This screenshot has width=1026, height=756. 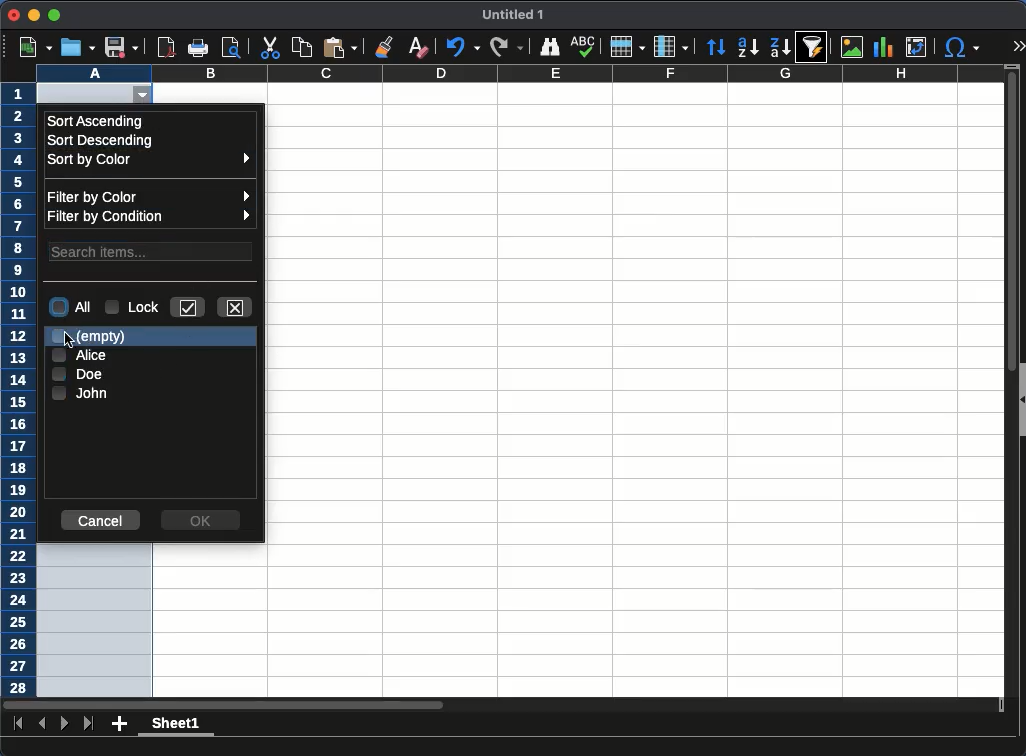 I want to click on spell check, so click(x=585, y=46).